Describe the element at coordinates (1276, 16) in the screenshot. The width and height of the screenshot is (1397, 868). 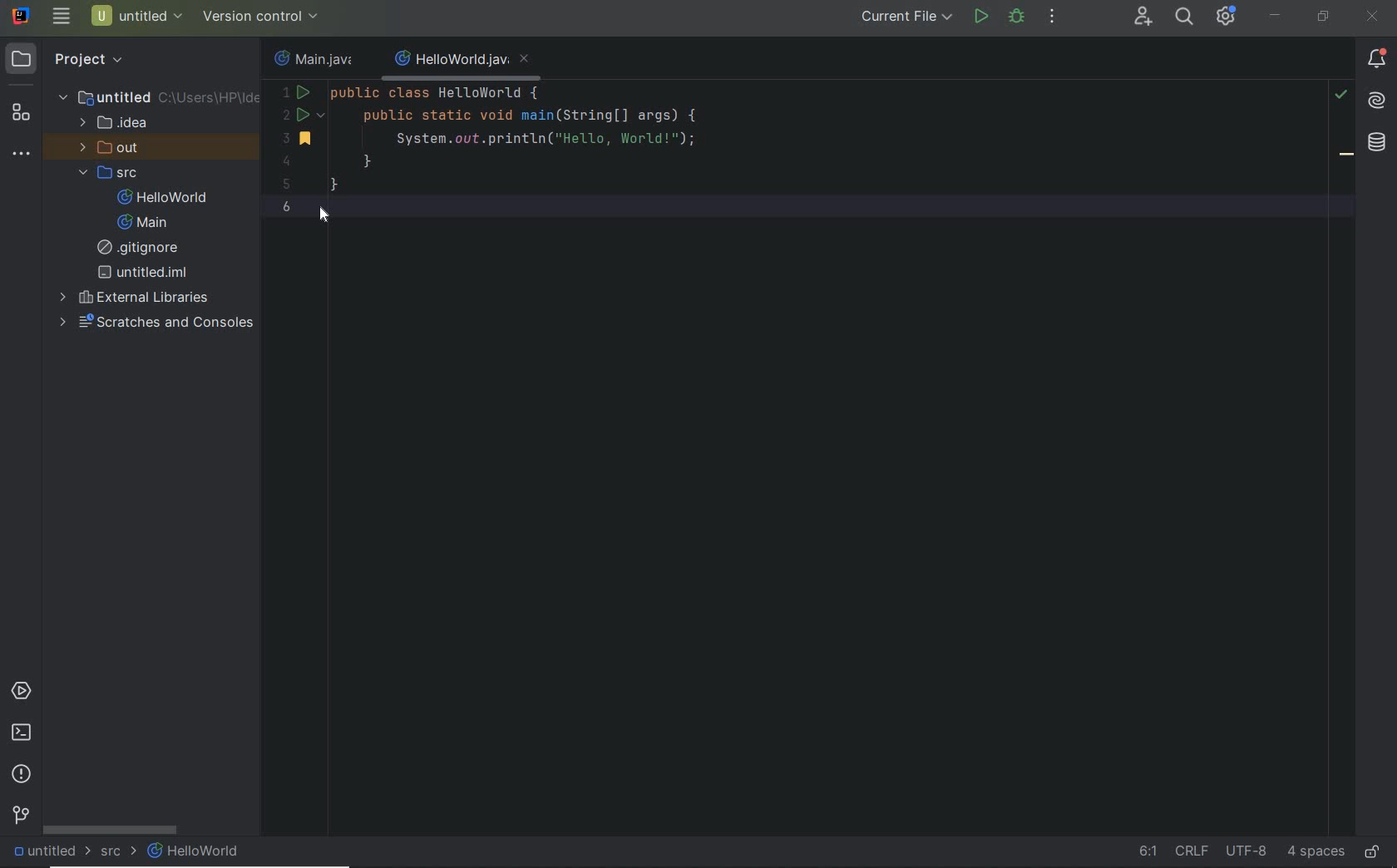
I see `minimize` at that location.